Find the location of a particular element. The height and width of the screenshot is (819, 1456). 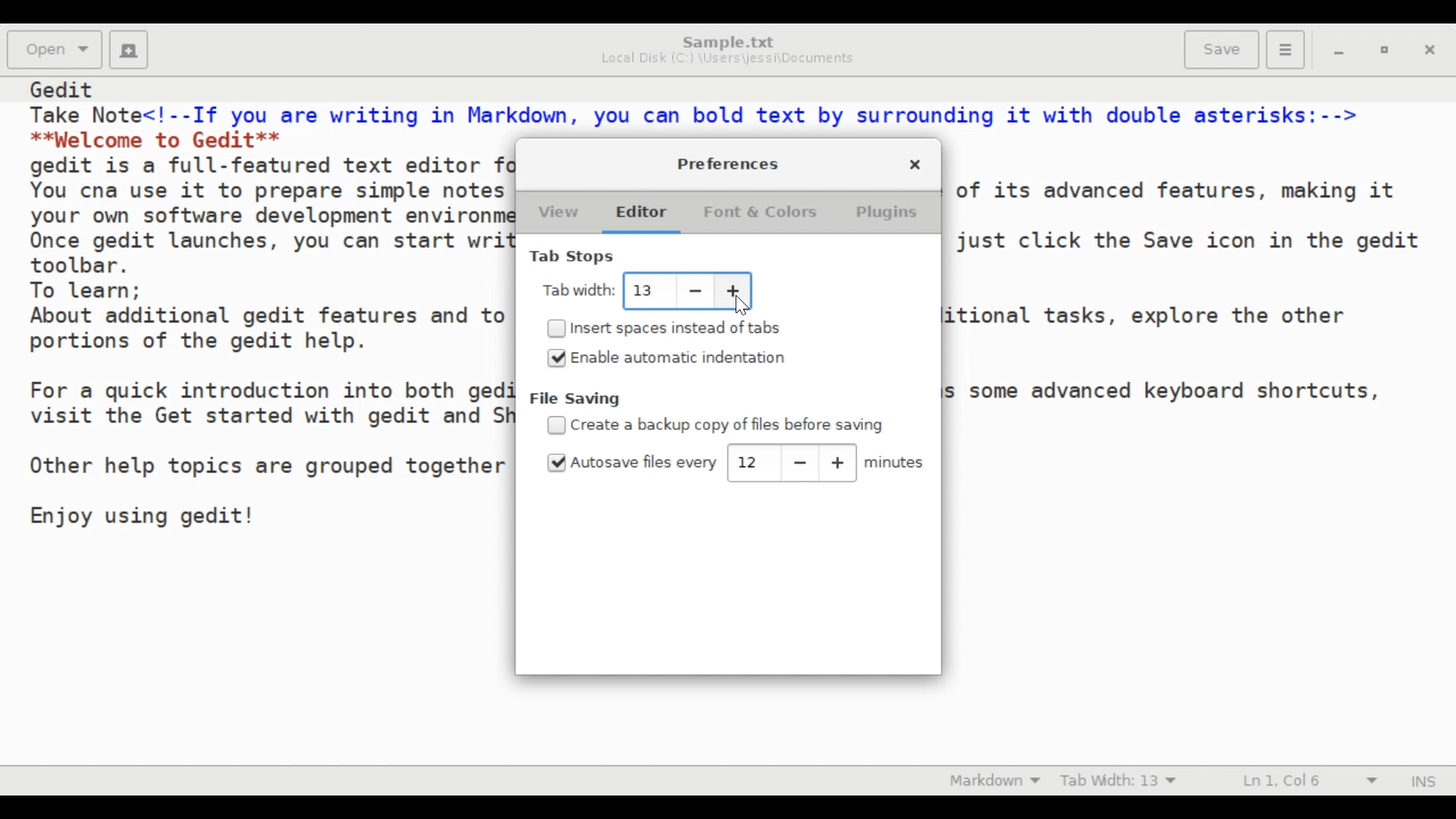

Open is located at coordinates (55, 49).